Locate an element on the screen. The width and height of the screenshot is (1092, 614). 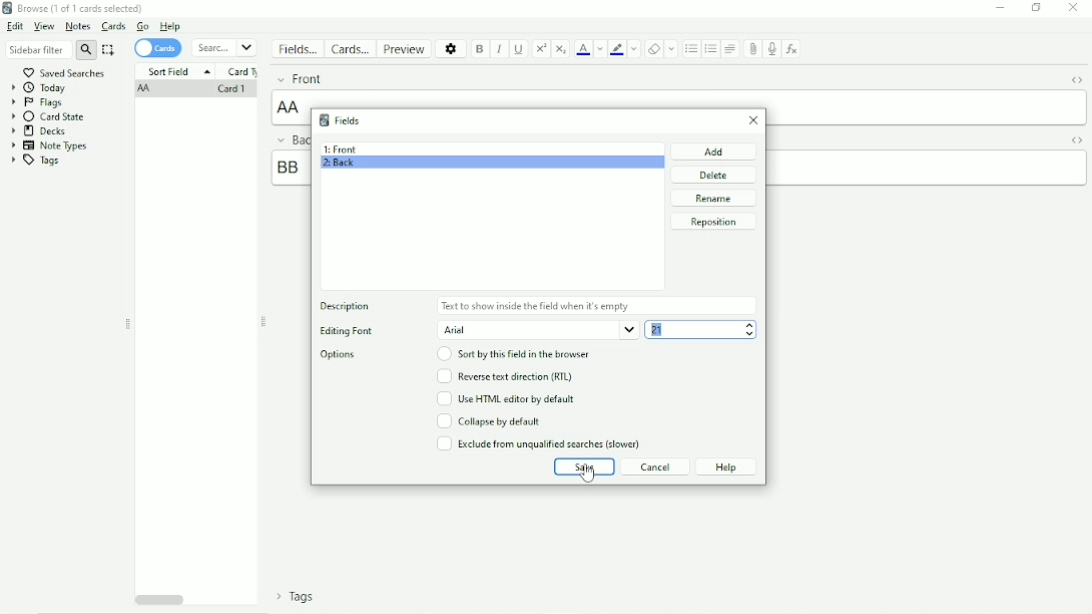
Editing Font is located at coordinates (346, 332).